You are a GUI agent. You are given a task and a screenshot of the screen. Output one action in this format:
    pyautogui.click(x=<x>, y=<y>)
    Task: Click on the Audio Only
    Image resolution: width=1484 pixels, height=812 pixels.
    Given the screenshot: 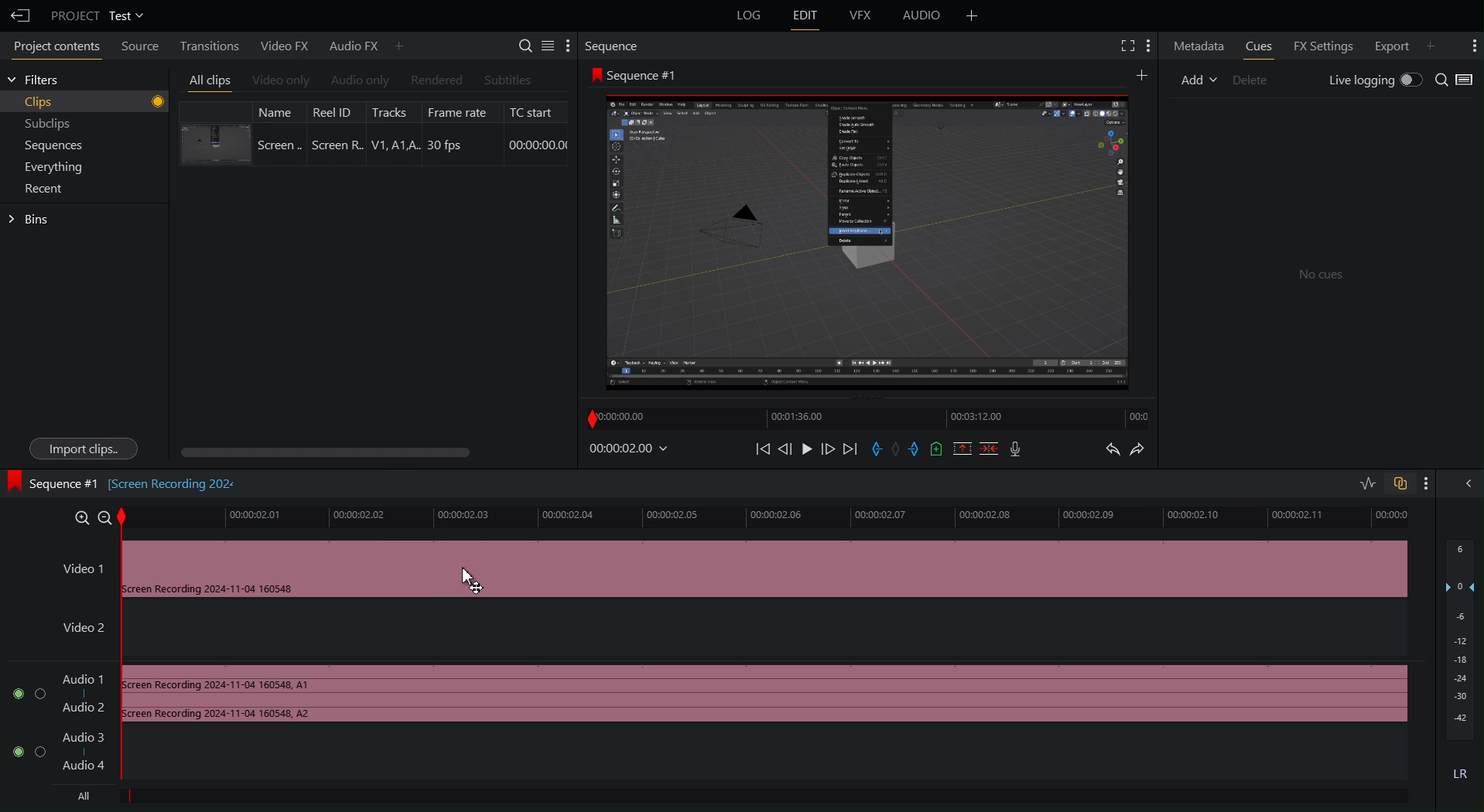 What is the action you would take?
    pyautogui.click(x=358, y=80)
    